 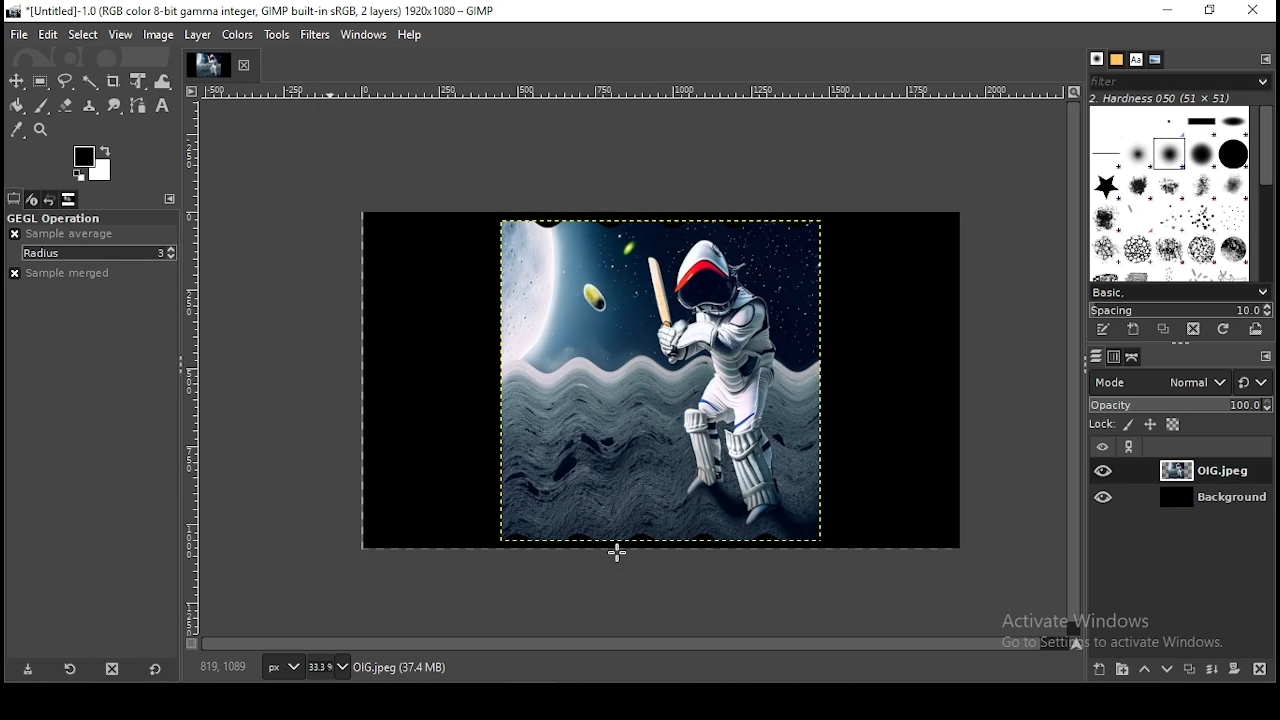 I want to click on open brush as image, so click(x=1257, y=330).